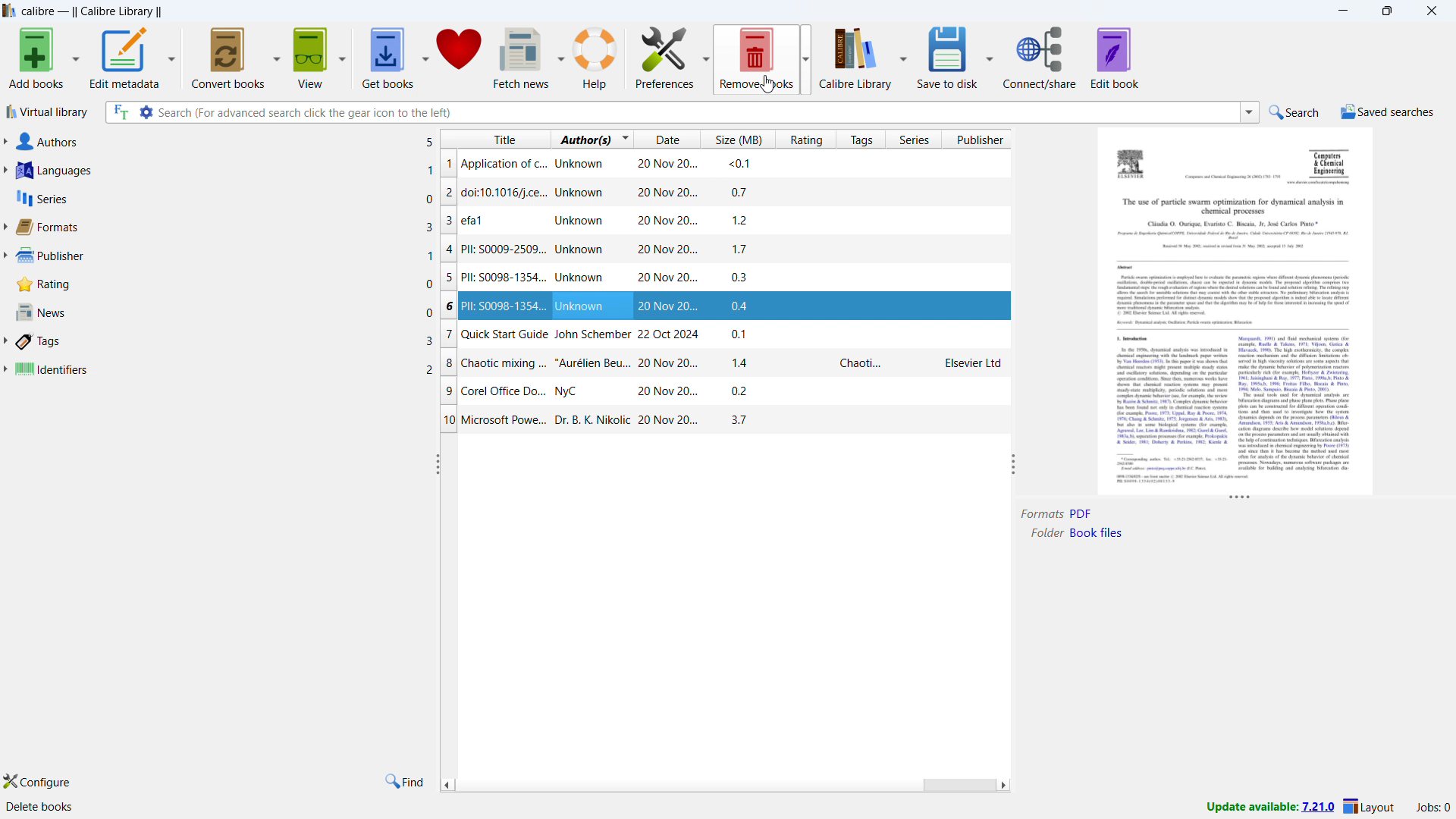  What do you see at coordinates (902, 56) in the screenshot?
I see `calibre library options` at bounding box center [902, 56].